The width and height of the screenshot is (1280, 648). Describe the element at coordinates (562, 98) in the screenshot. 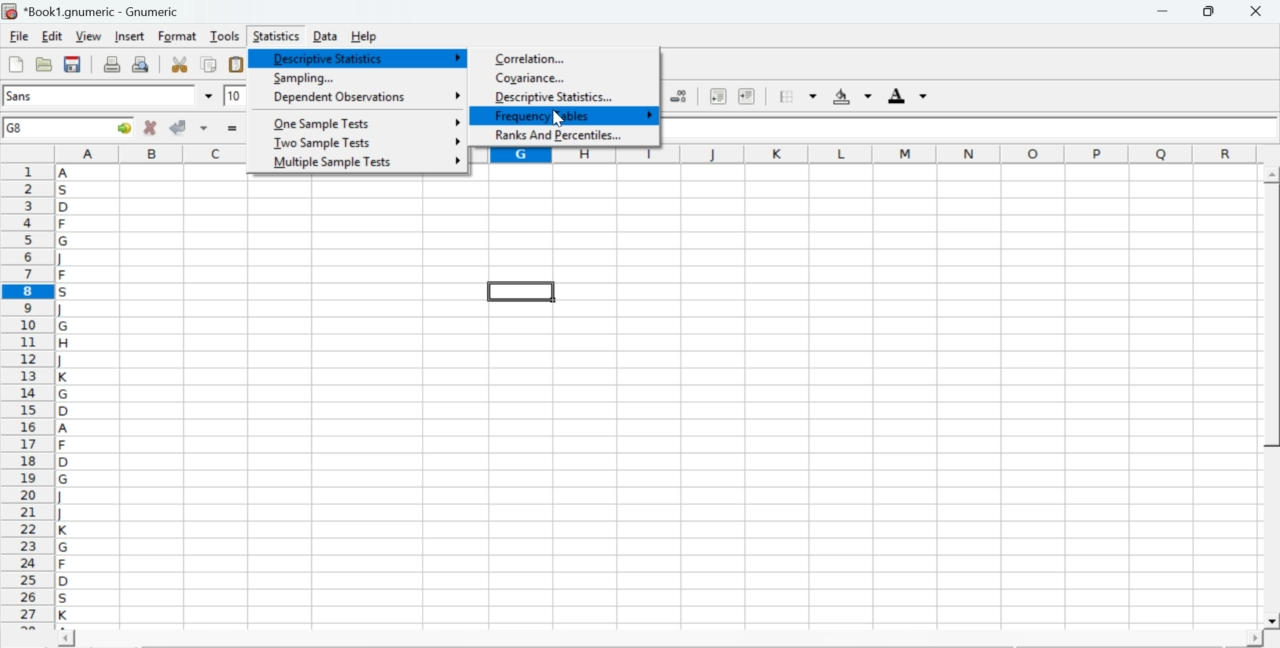

I see `descriptive statistics...` at that location.